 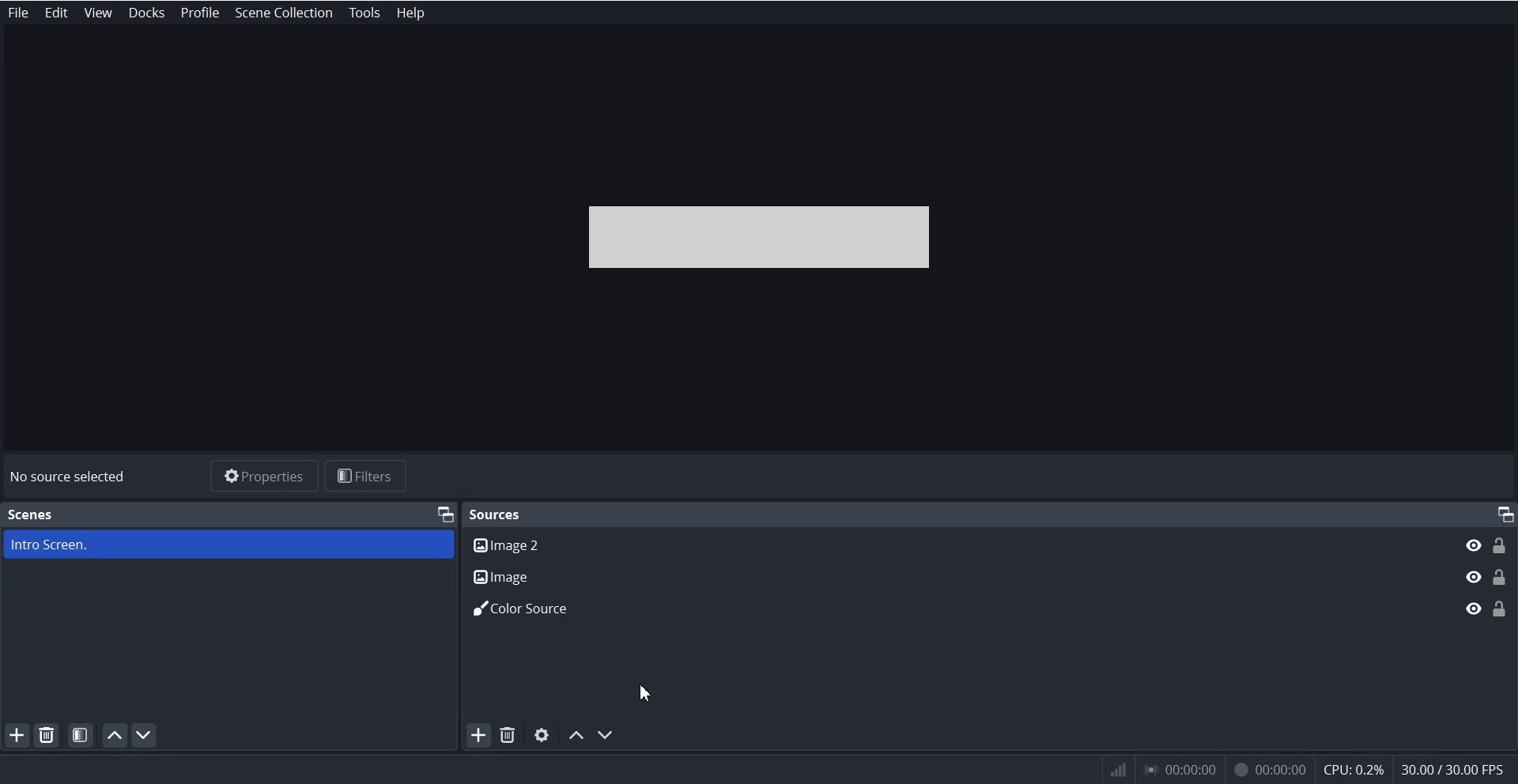 What do you see at coordinates (444, 513) in the screenshot?
I see `Maximize` at bounding box center [444, 513].